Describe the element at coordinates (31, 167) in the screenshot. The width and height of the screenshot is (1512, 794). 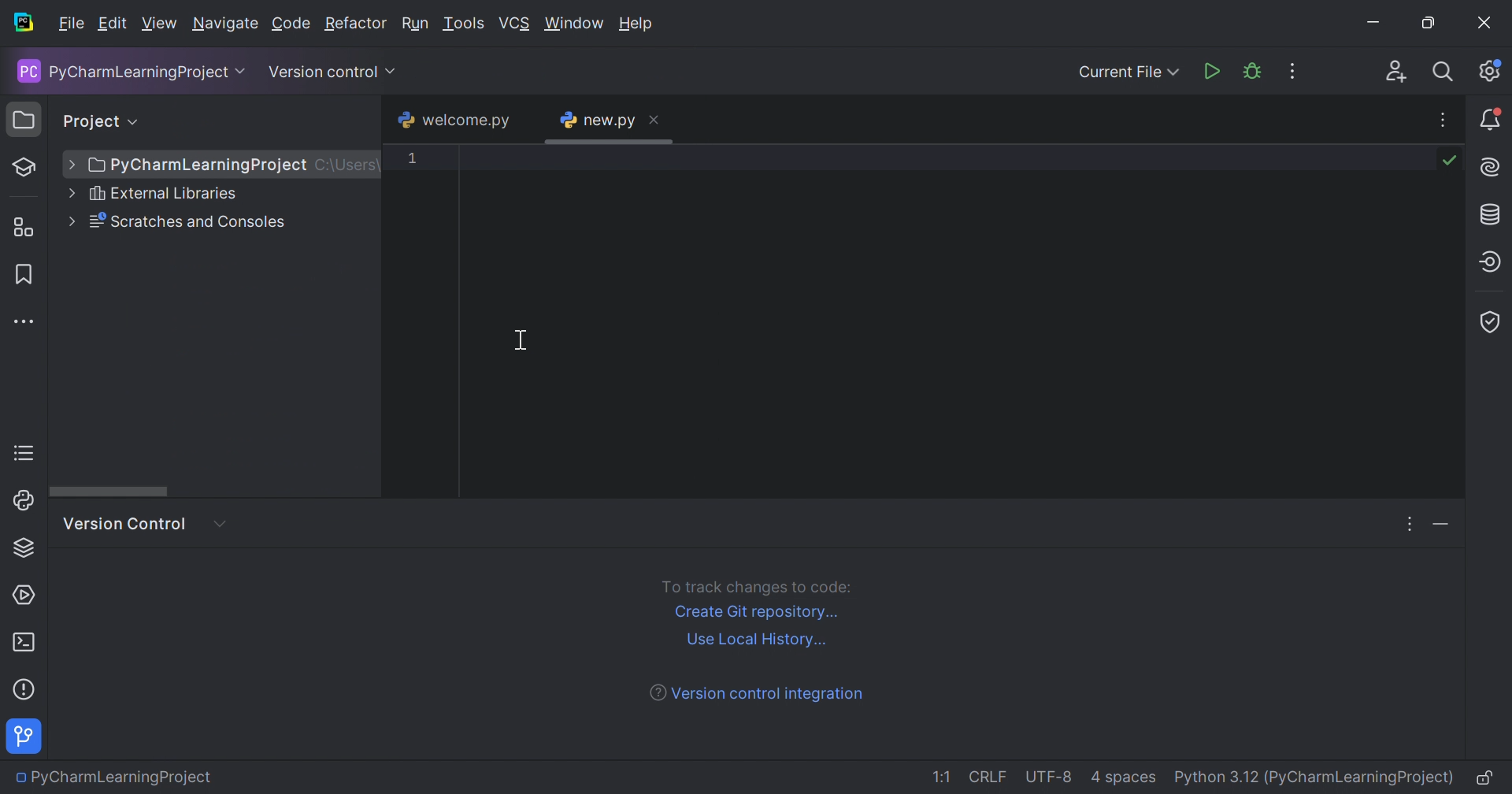
I see `Learn` at that location.